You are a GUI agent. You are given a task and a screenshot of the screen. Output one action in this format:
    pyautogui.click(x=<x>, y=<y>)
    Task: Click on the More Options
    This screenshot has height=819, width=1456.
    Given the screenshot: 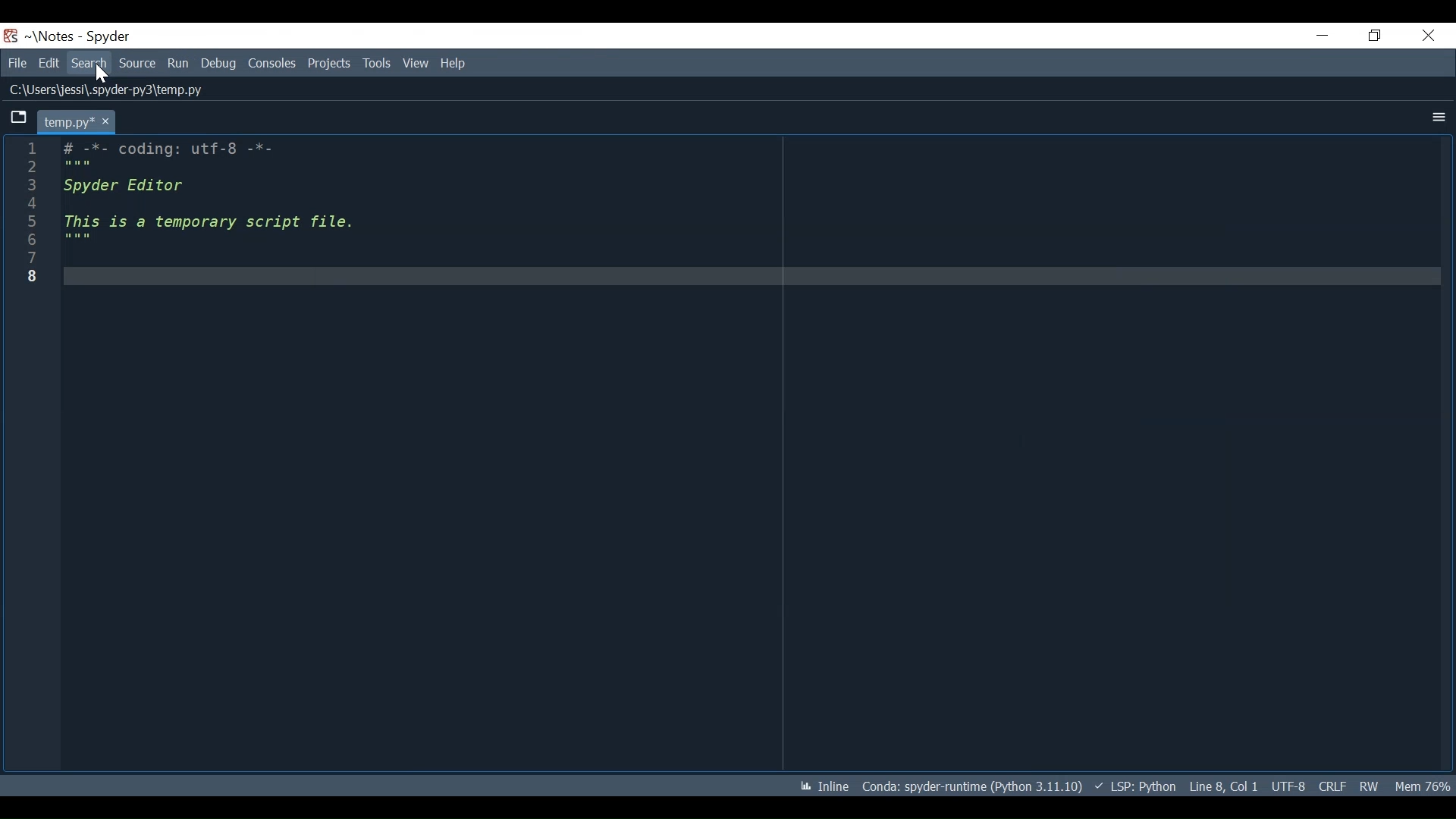 What is the action you would take?
    pyautogui.click(x=1438, y=115)
    